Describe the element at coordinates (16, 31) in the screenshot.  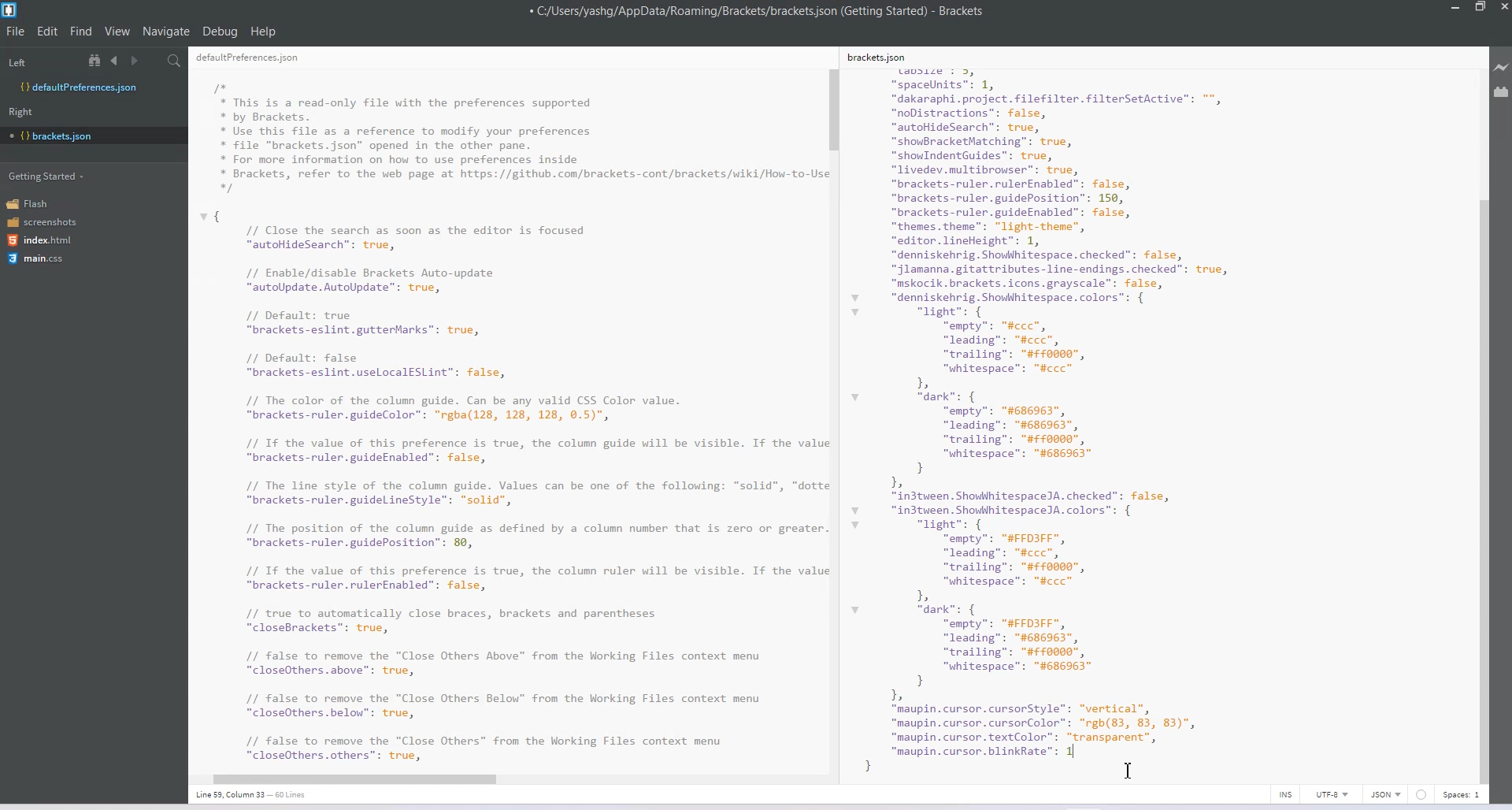
I see `File` at that location.